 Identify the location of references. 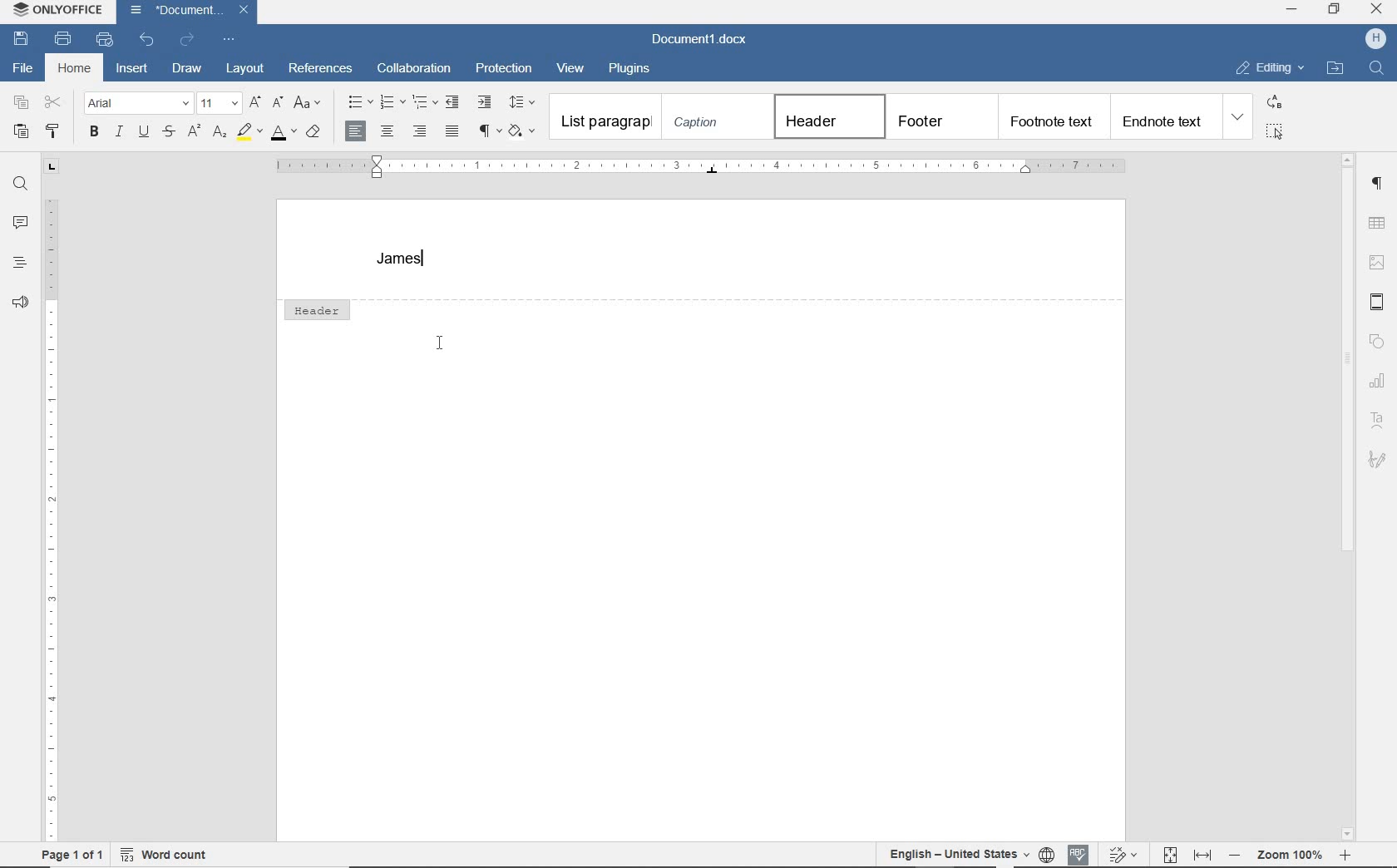
(321, 70).